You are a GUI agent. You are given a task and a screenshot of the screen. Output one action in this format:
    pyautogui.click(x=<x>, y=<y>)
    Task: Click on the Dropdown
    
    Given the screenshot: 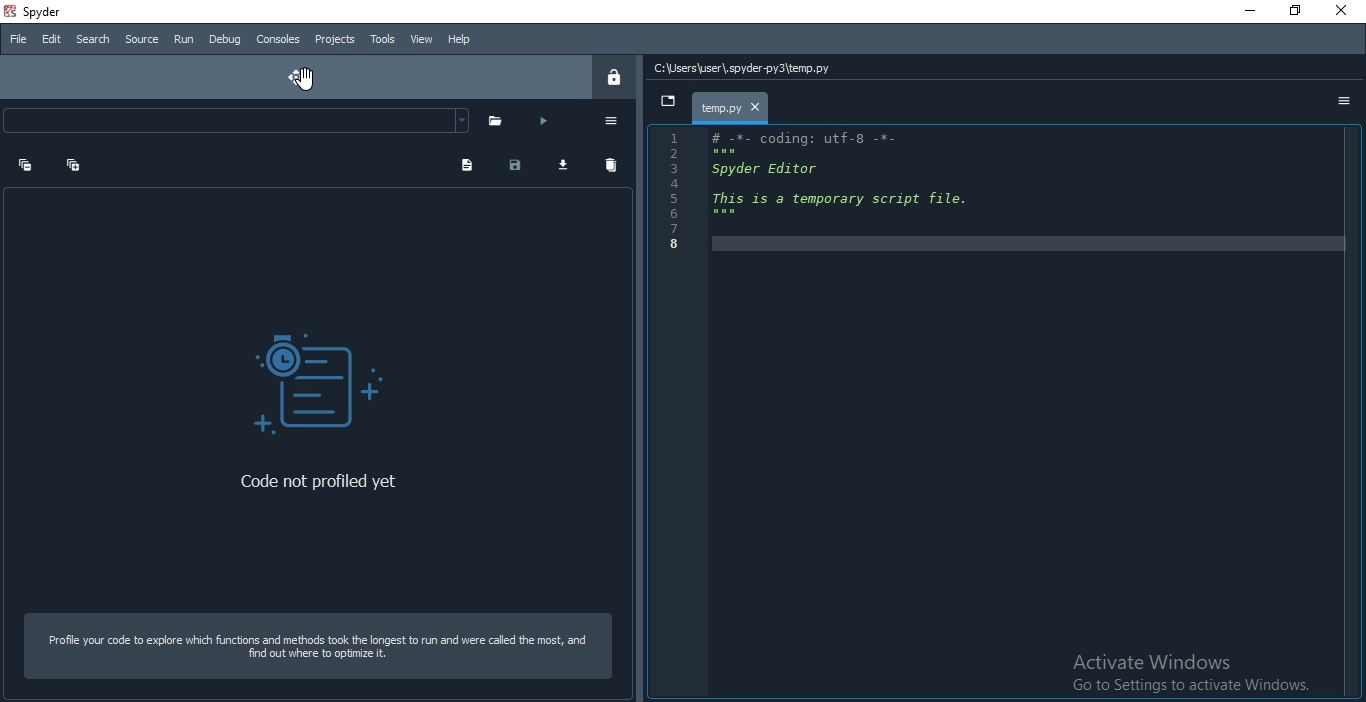 What is the action you would take?
    pyautogui.click(x=236, y=121)
    